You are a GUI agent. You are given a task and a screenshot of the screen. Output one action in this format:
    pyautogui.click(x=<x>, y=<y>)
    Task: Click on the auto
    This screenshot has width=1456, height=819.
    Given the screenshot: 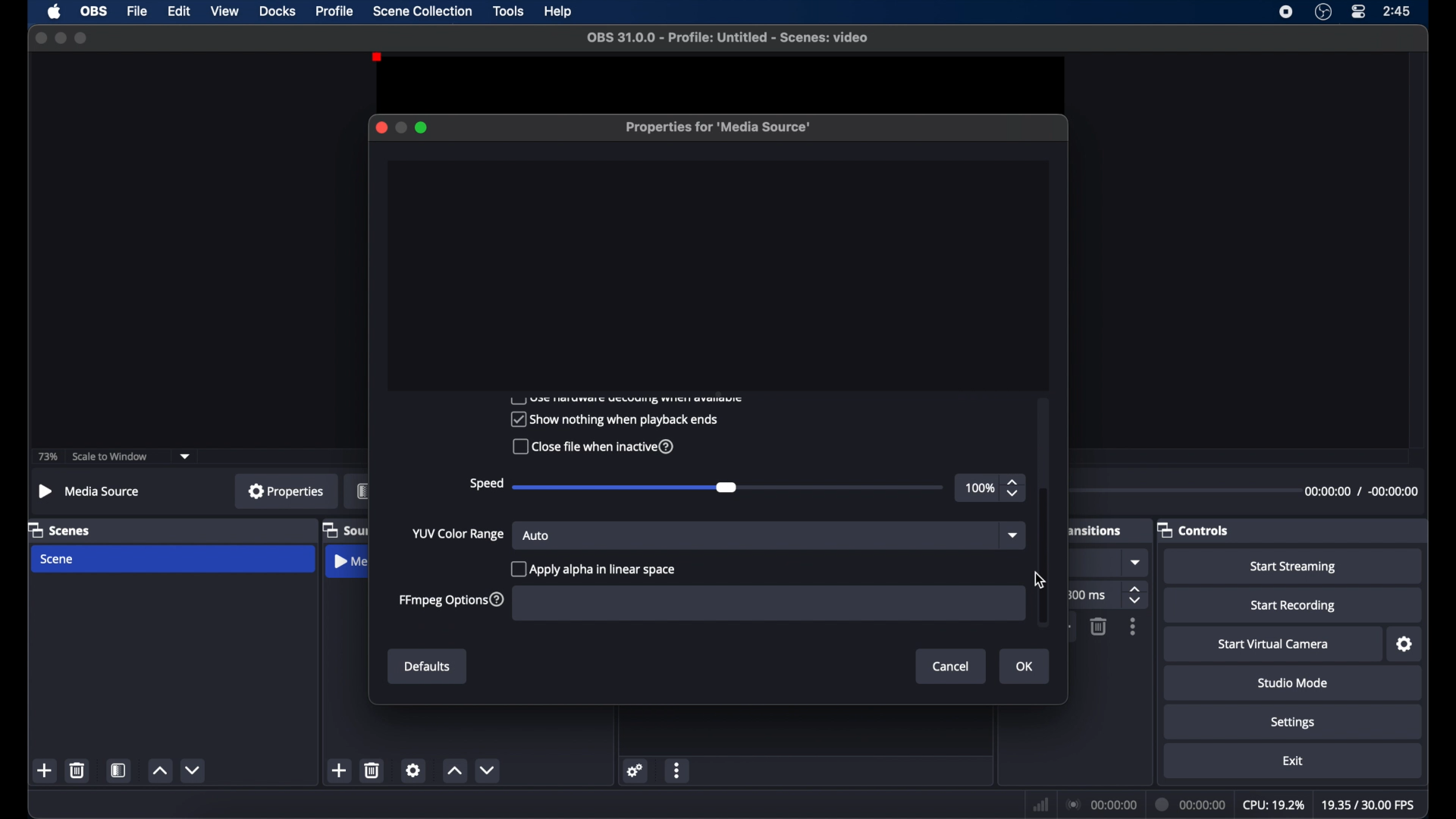 What is the action you would take?
    pyautogui.click(x=537, y=535)
    